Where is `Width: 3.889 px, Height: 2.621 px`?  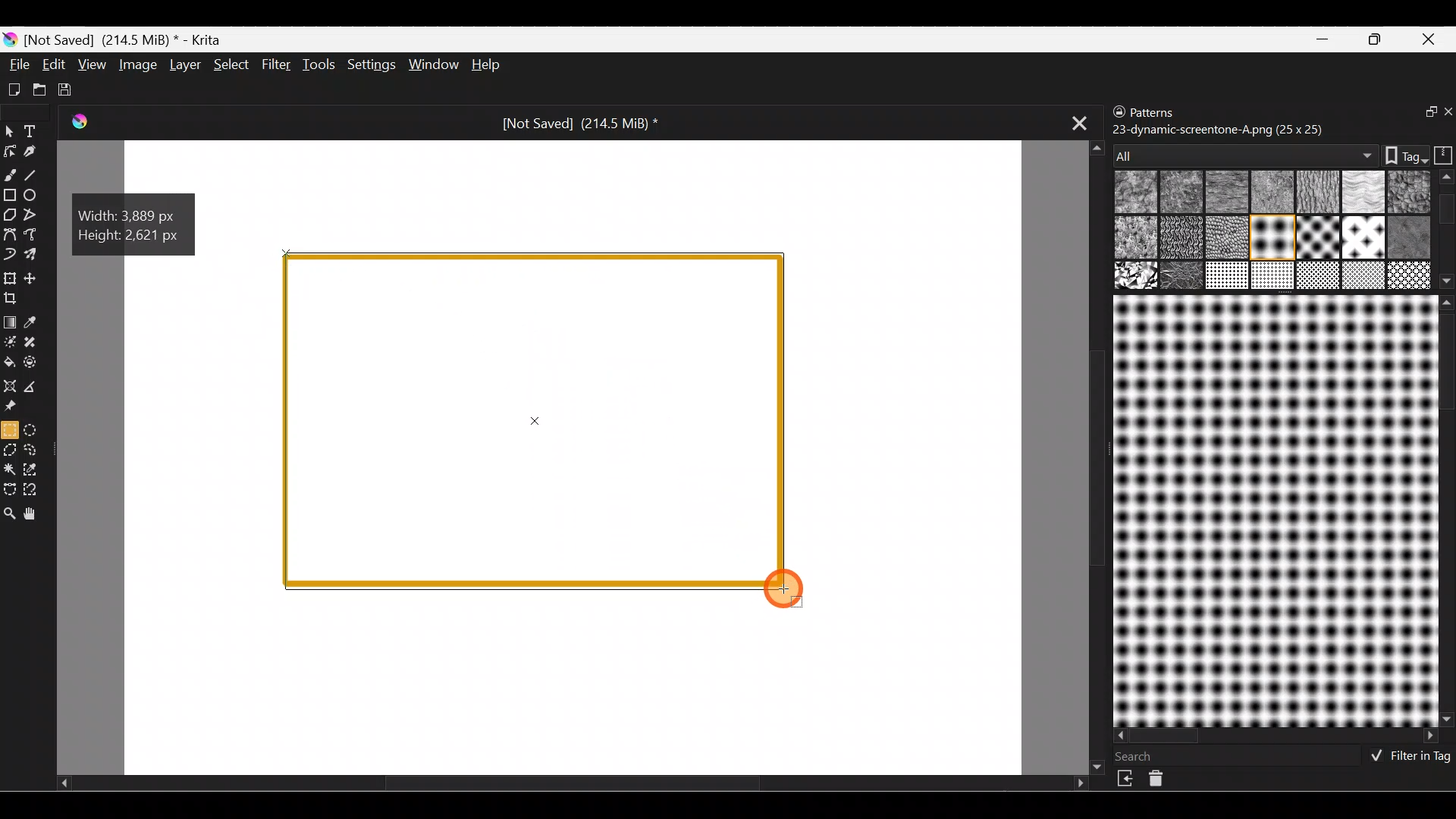 Width: 3.889 px, Height: 2.621 px is located at coordinates (135, 222).